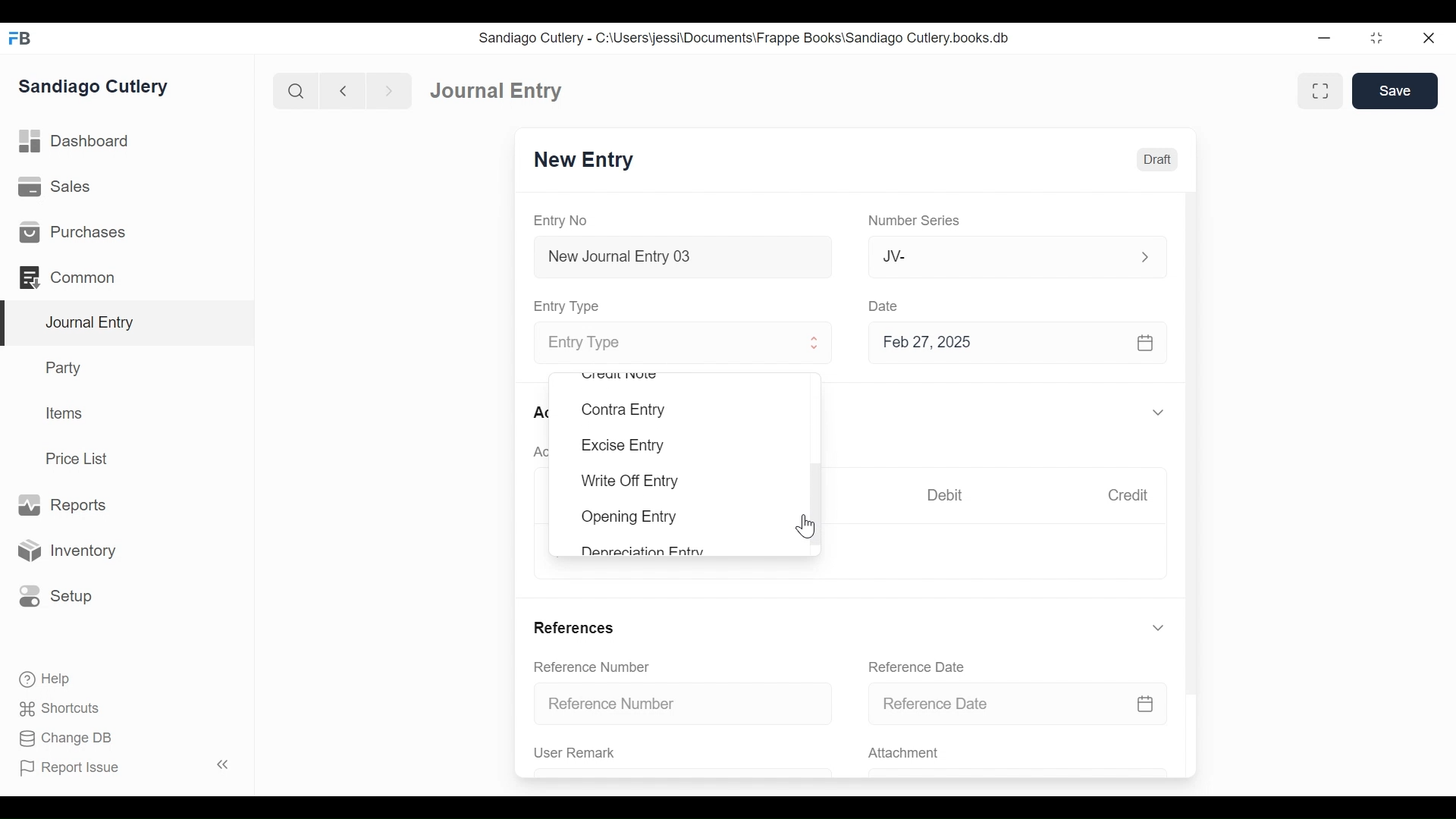 This screenshot has height=819, width=1456. Describe the element at coordinates (632, 482) in the screenshot. I see `Write Off Entry` at that location.